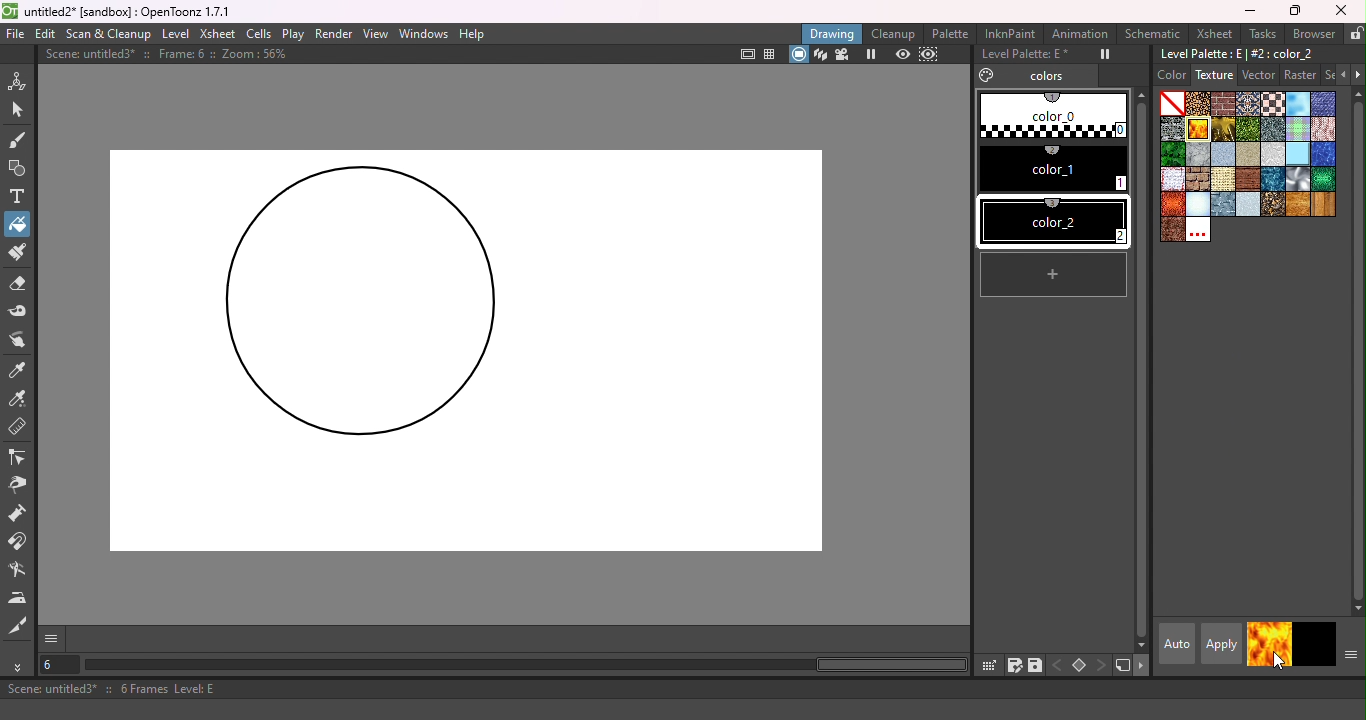 The width and height of the screenshot is (1366, 720). I want to click on Set key, so click(1079, 666).